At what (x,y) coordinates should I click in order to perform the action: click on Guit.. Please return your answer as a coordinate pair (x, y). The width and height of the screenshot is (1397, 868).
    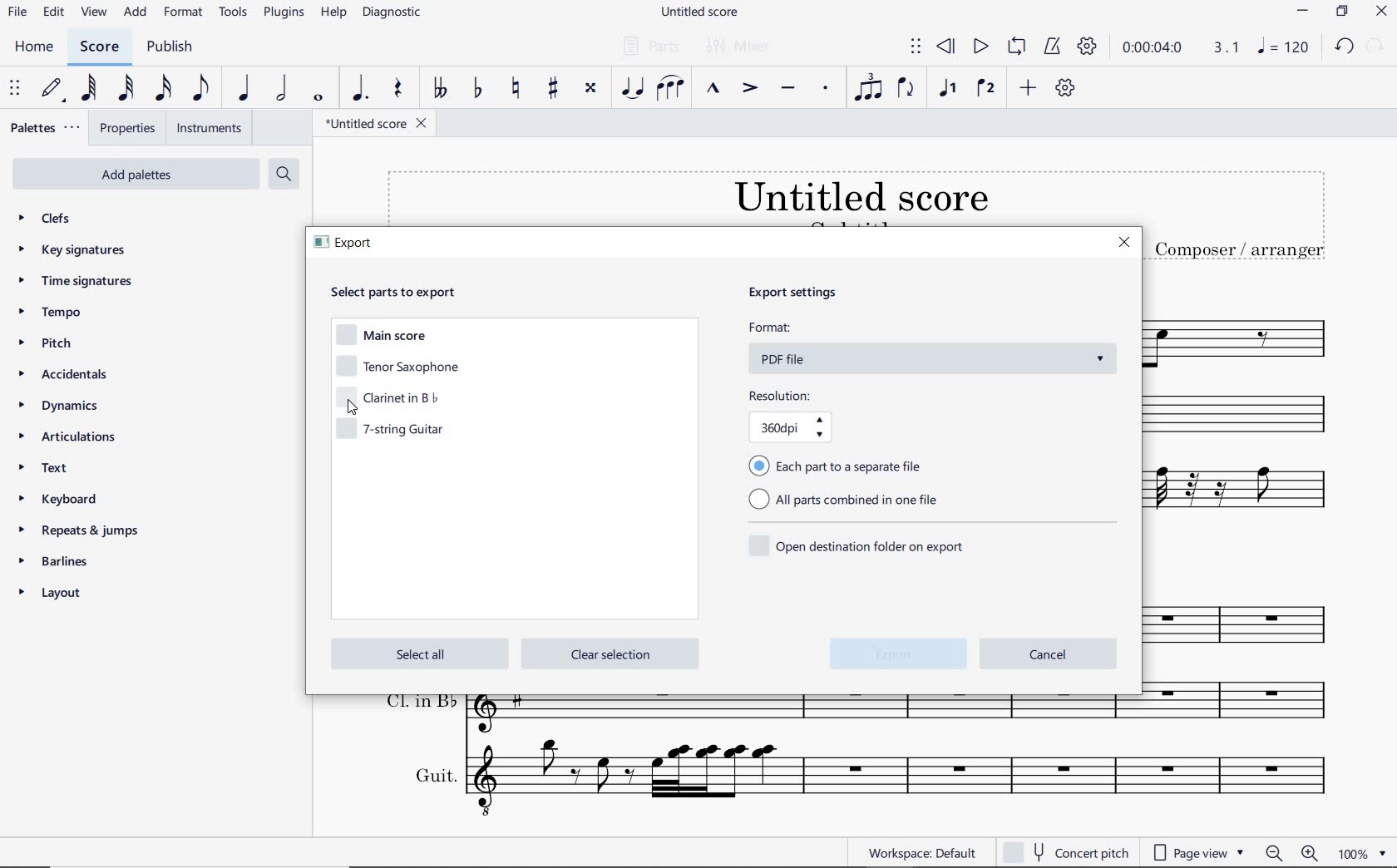
    Looking at the image, I should click on (858, 780).